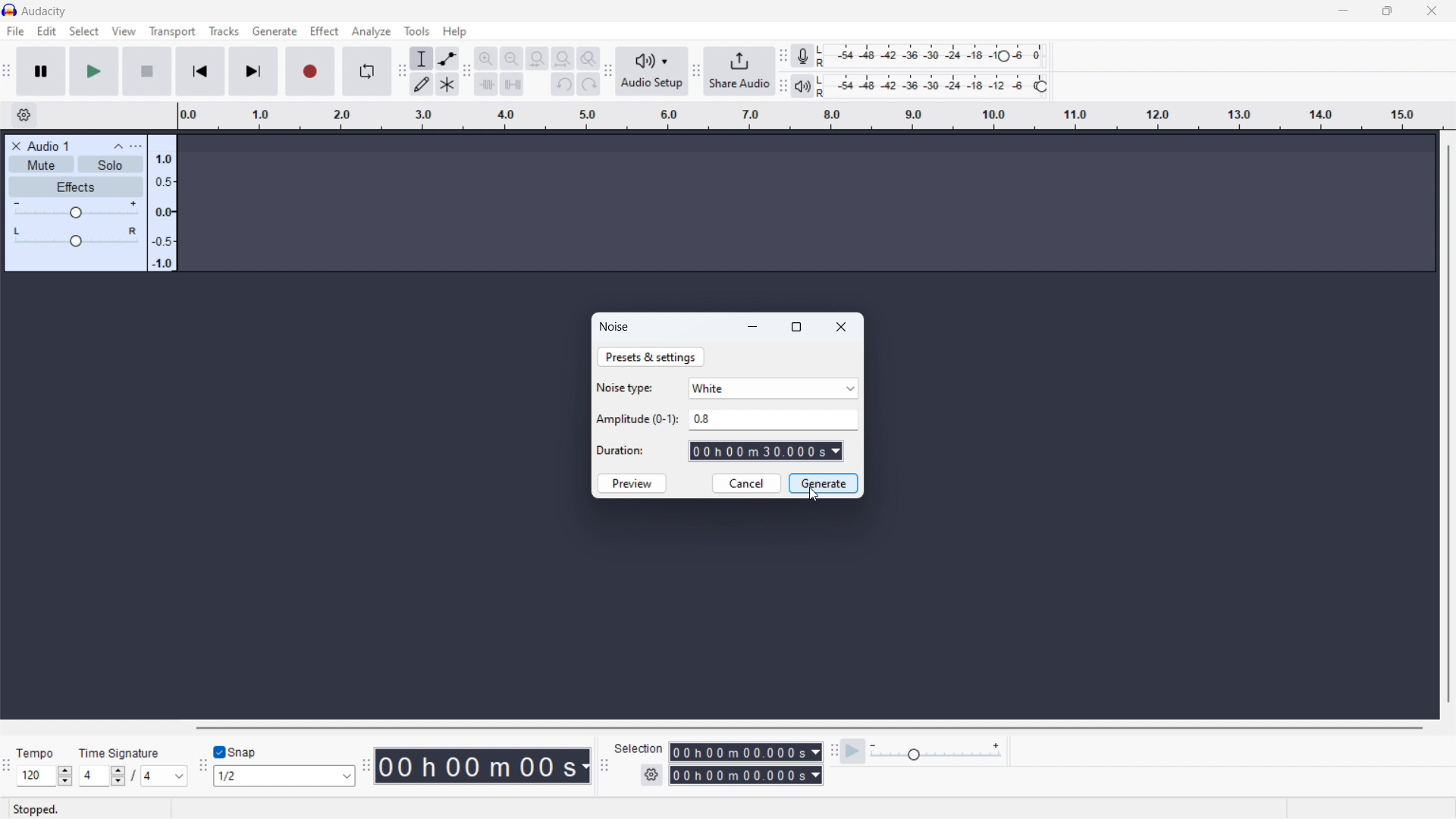 This screenshot has height=819, width=1456. What do you see at coordinates (17, 146) in the screenshot?
I see `delete track` at bounding box center [17, 146].